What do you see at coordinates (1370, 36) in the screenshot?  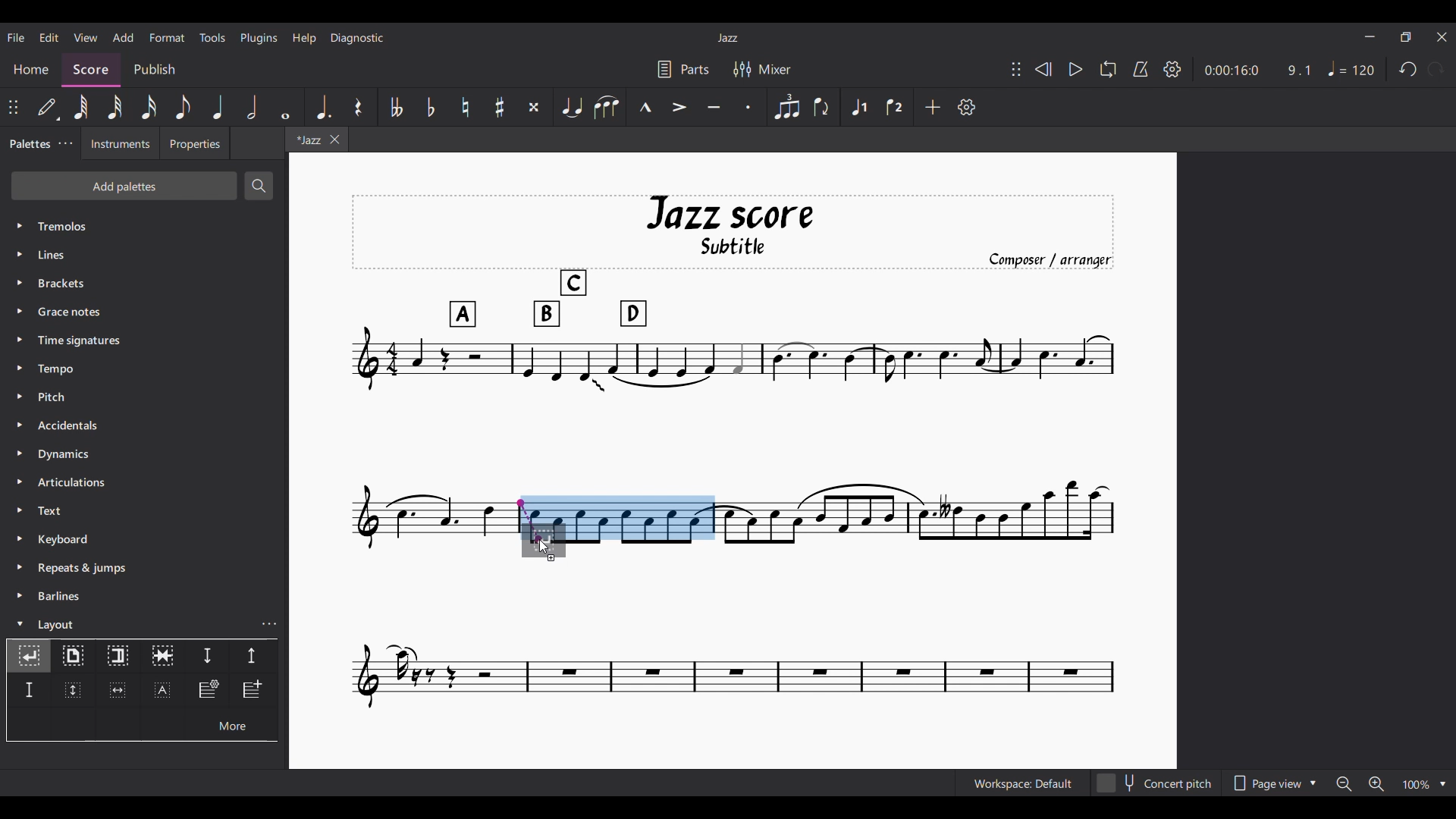 I see `Minimize` at bounding box center [1370, 36].